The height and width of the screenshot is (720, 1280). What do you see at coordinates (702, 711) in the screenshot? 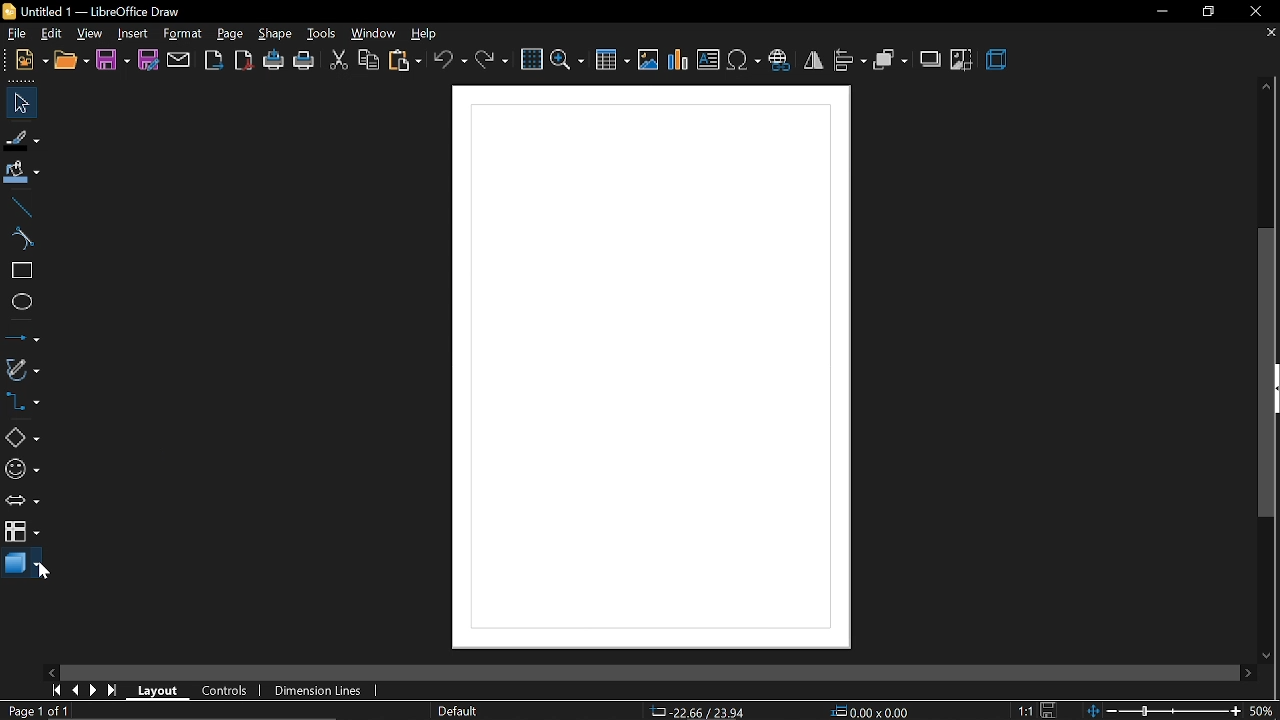
I see `-22.66/23.94` at bounding box center [702, 711].